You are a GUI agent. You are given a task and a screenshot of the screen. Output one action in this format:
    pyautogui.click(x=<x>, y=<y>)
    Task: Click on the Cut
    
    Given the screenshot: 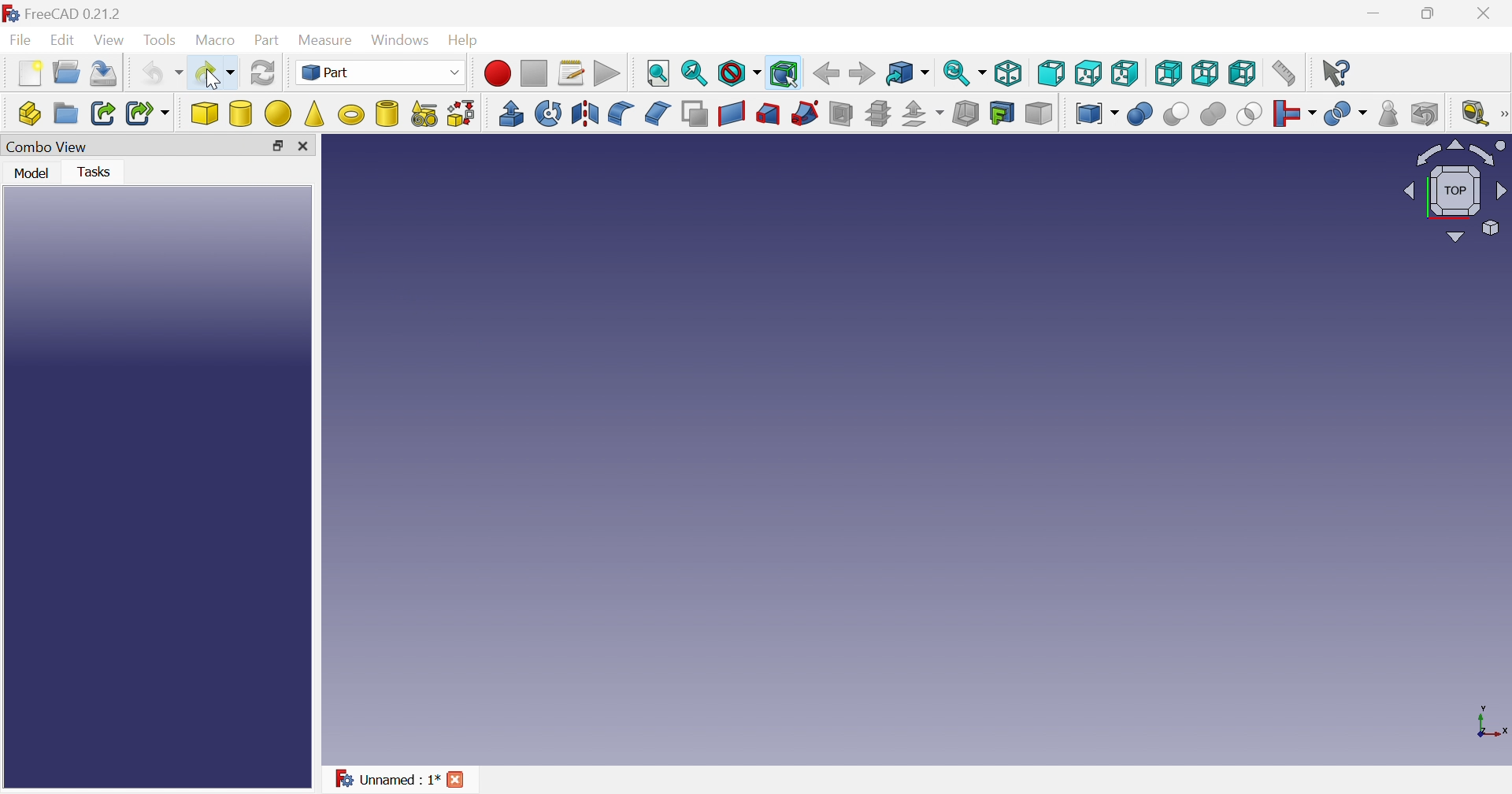 What is the action you would take?
    pyautogui.click(x=1177, y=115)
    